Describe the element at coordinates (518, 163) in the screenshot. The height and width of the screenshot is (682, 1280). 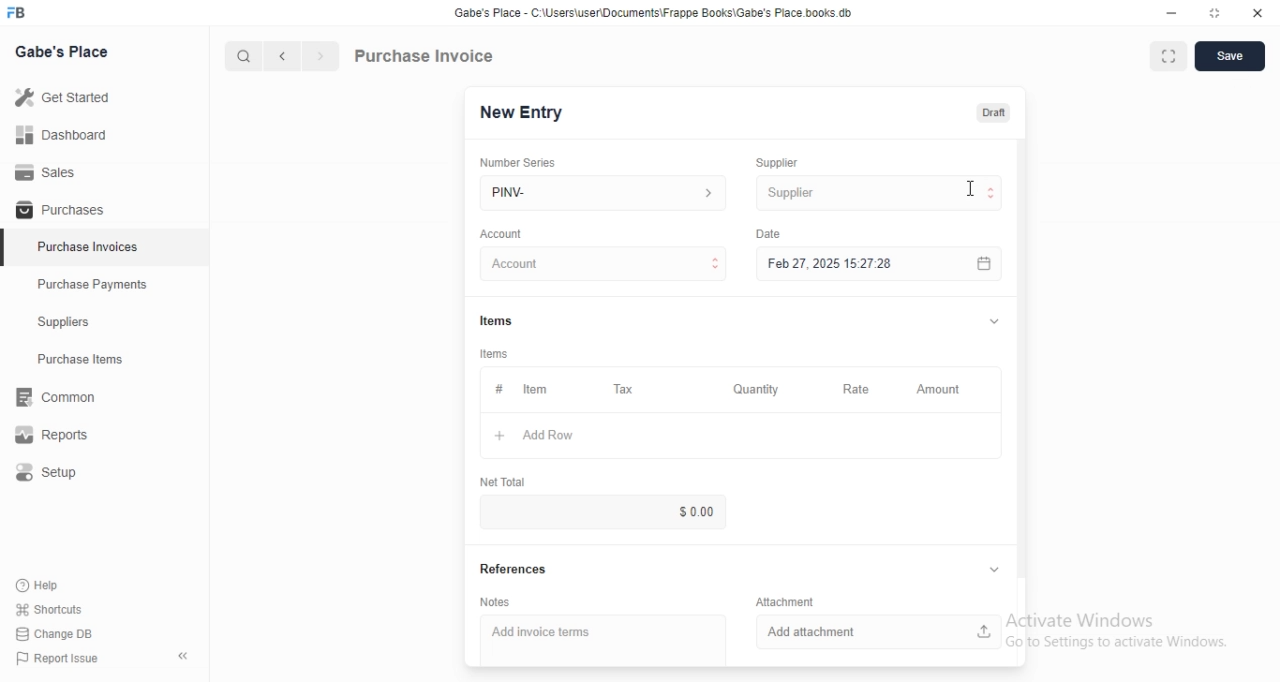
I see `Number Series` at that location.